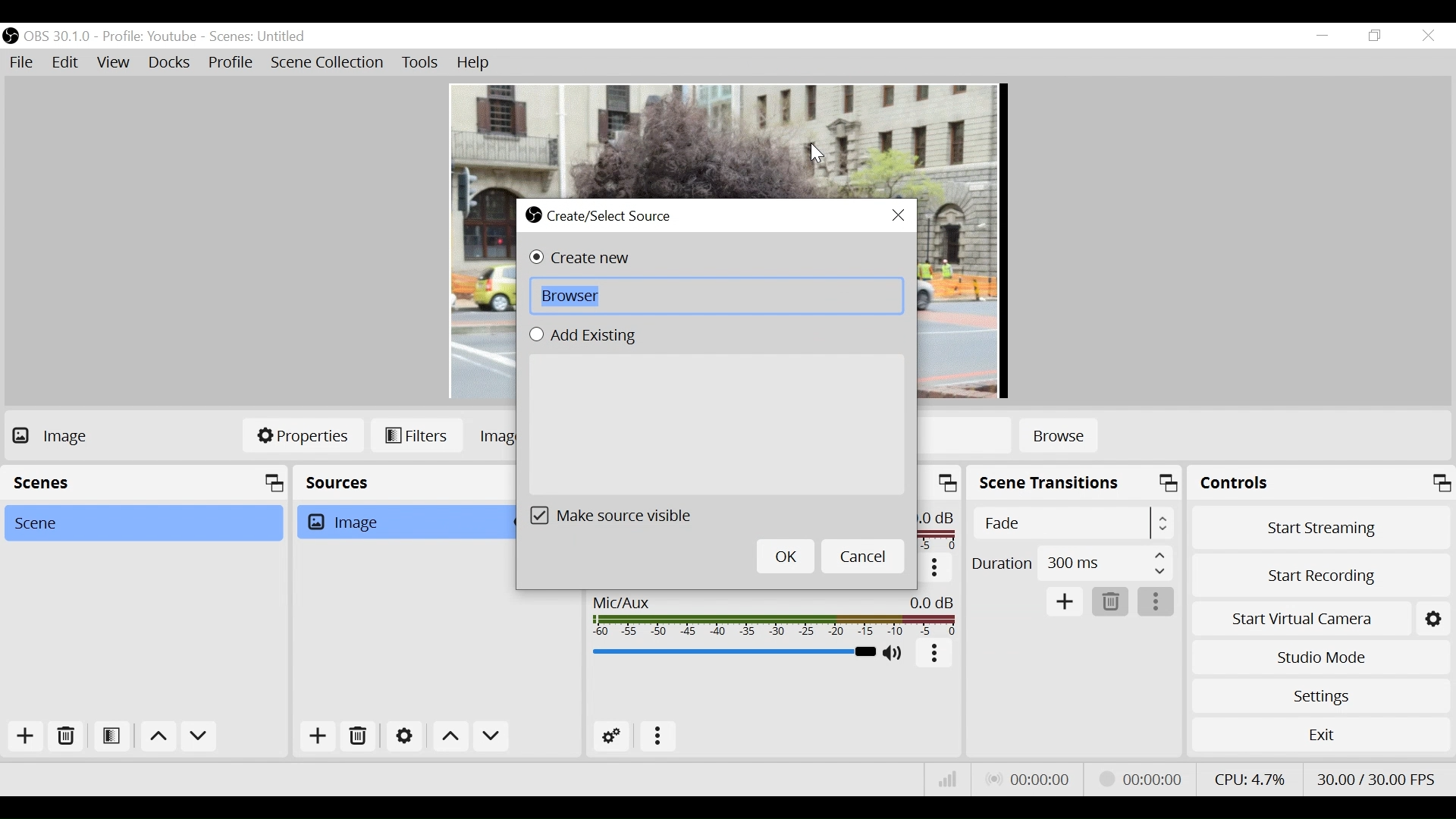 The width and height of the screenshot is (1456, 819). What do you see at coordinates (422, 64) in the screenshot?
I see `Tools` at bounding box center [422, 64].